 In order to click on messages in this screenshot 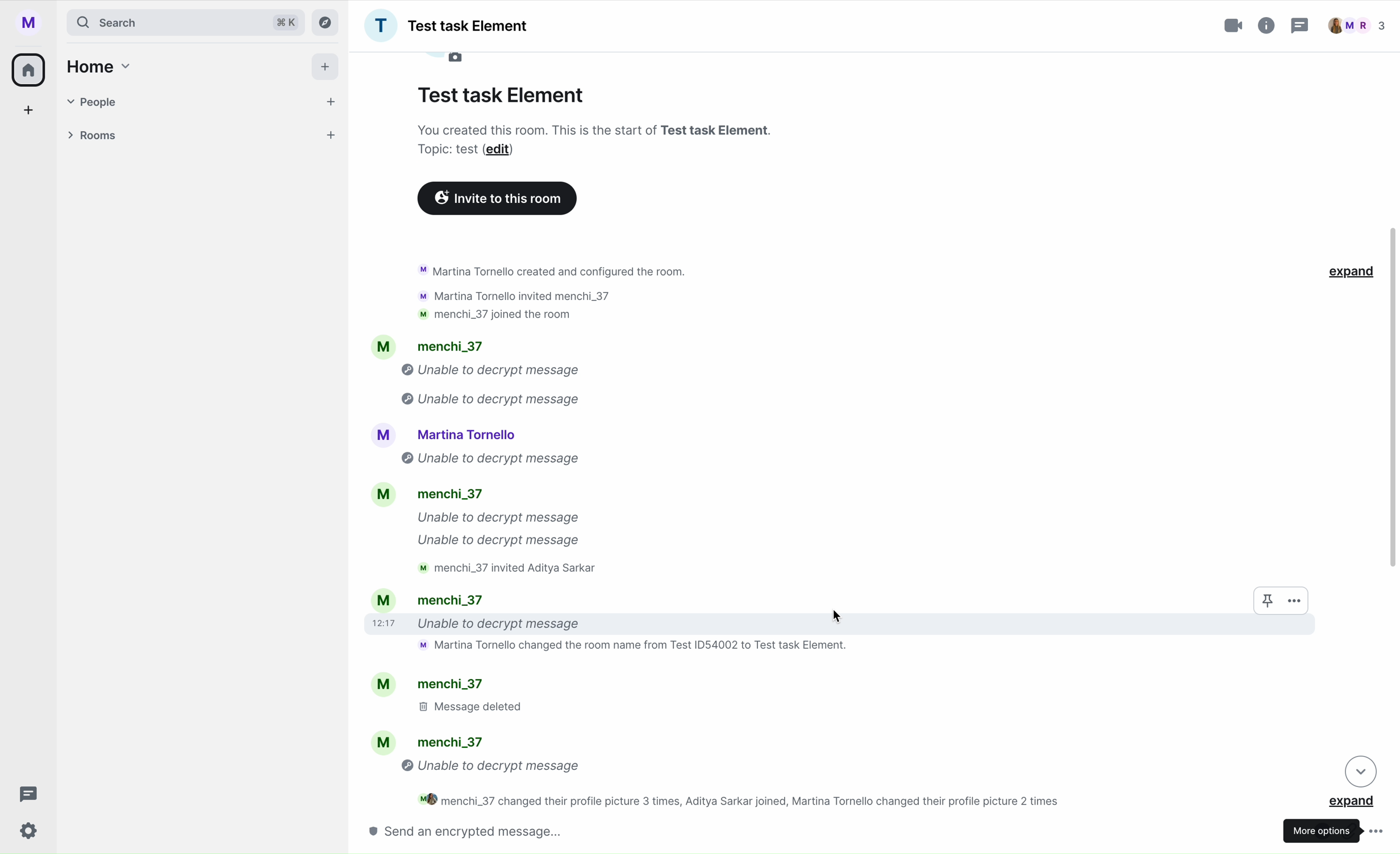, I will do `click(719, 738)`.